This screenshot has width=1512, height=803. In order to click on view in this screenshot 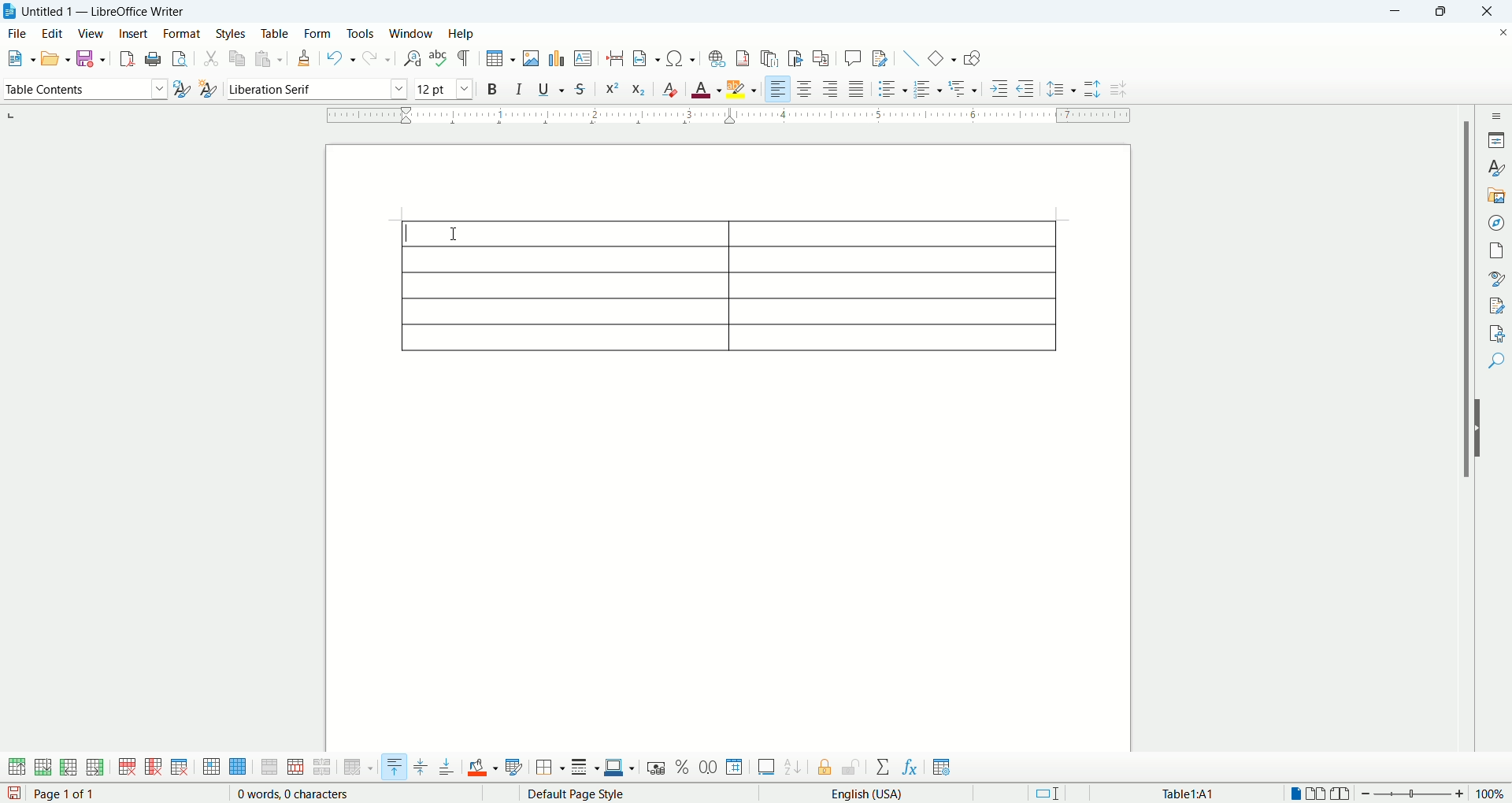, I will do `click(91, 33)`.